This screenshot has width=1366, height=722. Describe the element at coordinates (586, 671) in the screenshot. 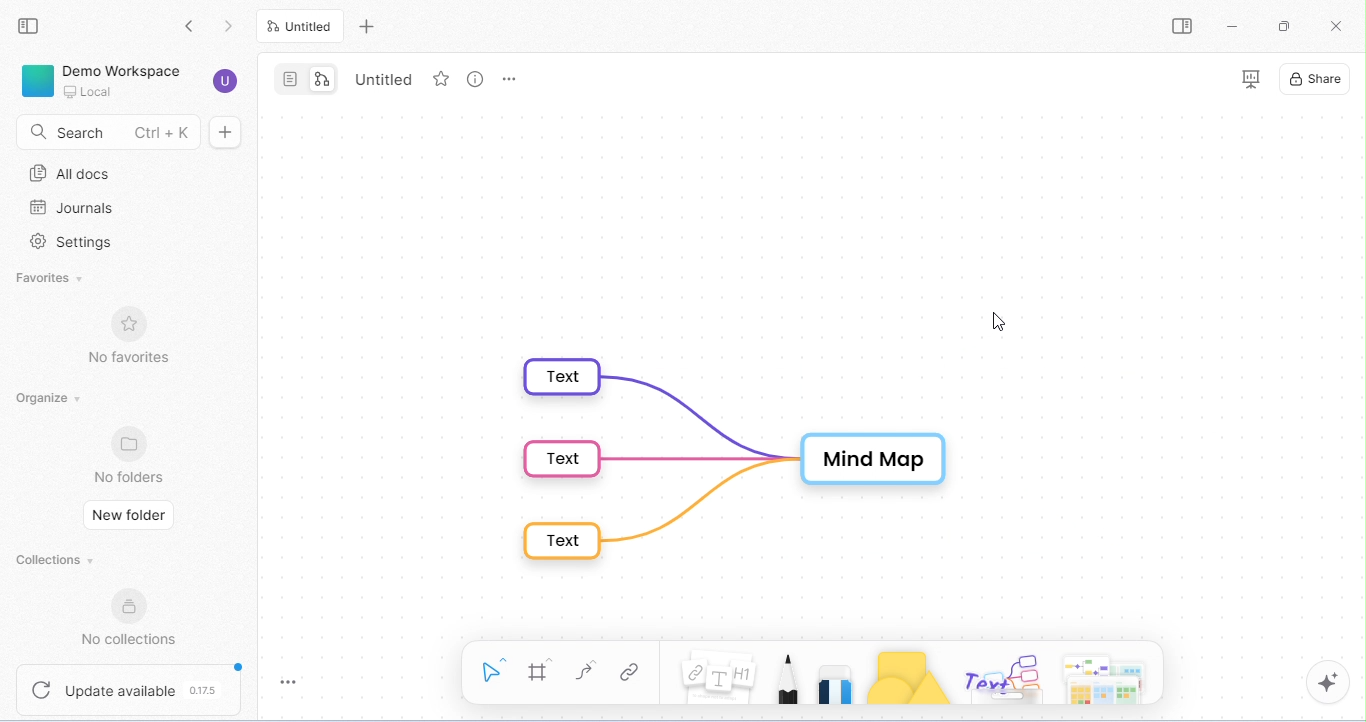

I see `connectors` at that location.